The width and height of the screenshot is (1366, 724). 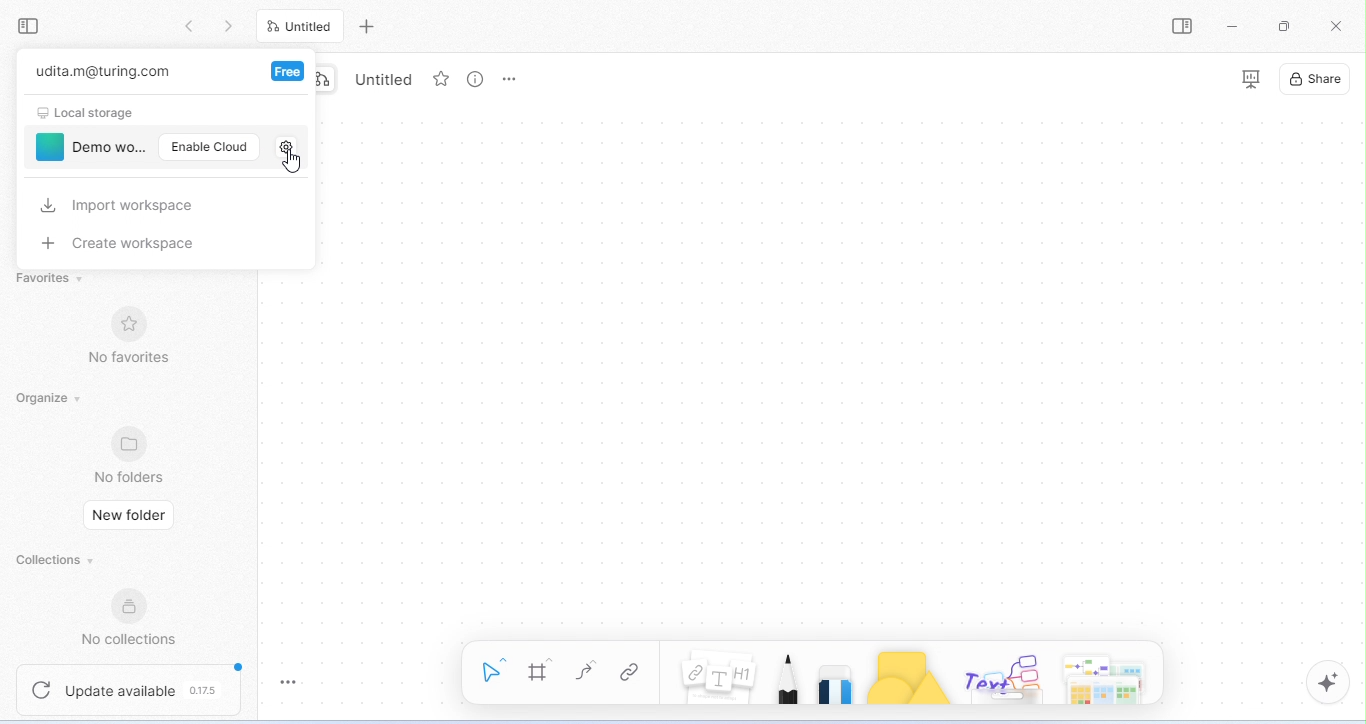 I want to click on presentation, so click(x=1249, y=79).